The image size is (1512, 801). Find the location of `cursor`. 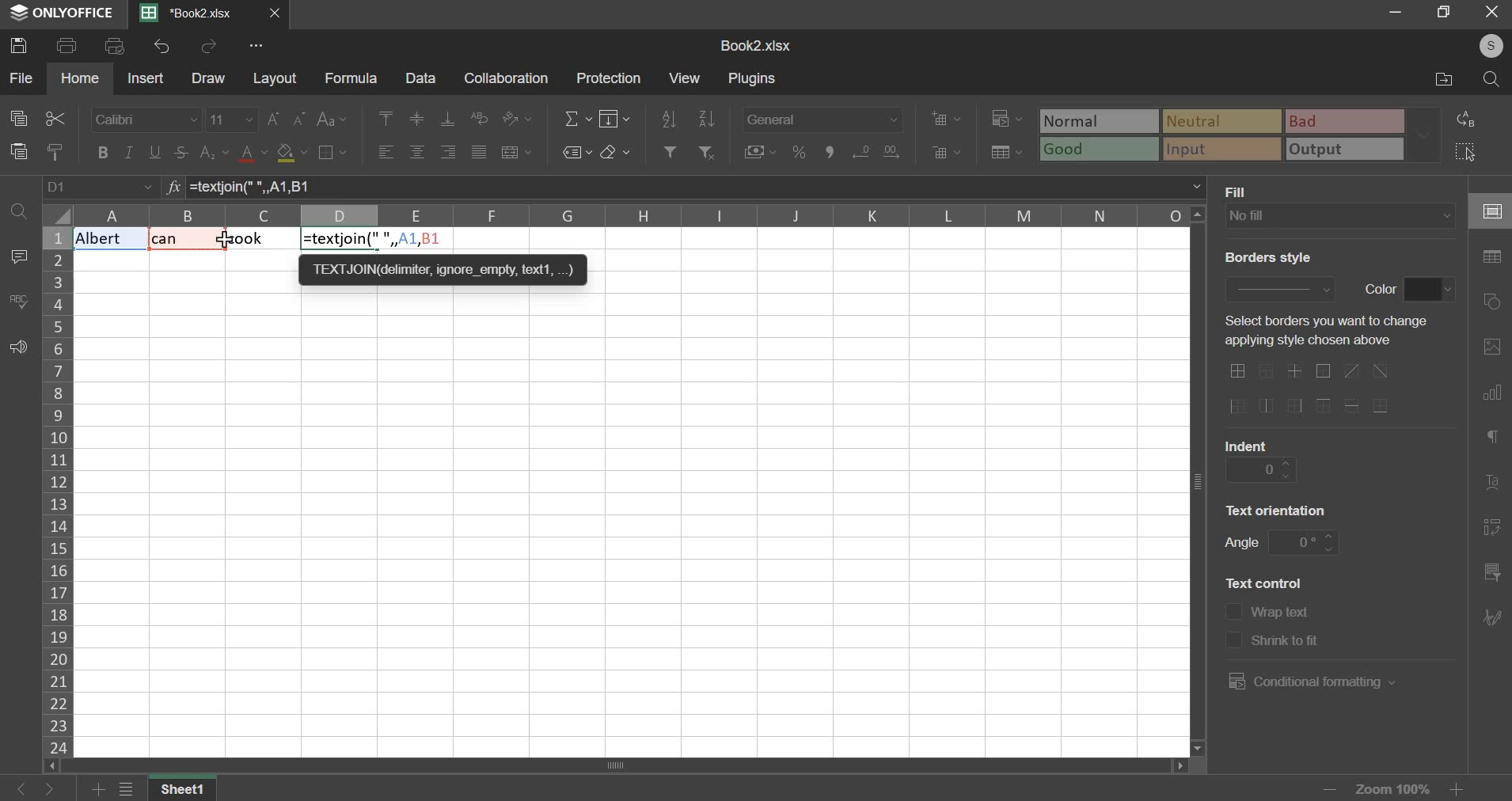

cursor is located at coordinates (219, 243).